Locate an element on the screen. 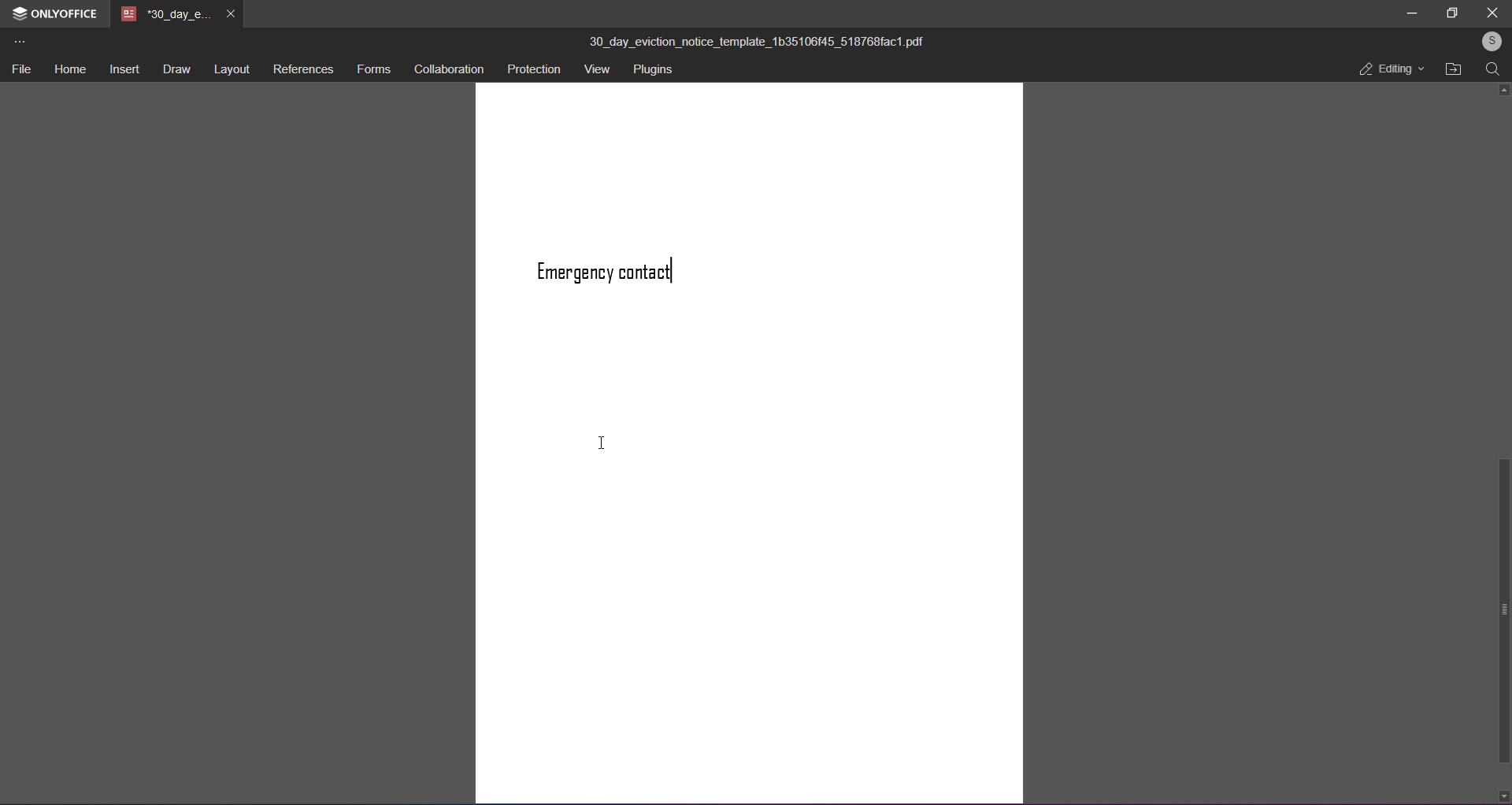 The image size is (1512, 805). close tab is located at coordinates (229, 15).